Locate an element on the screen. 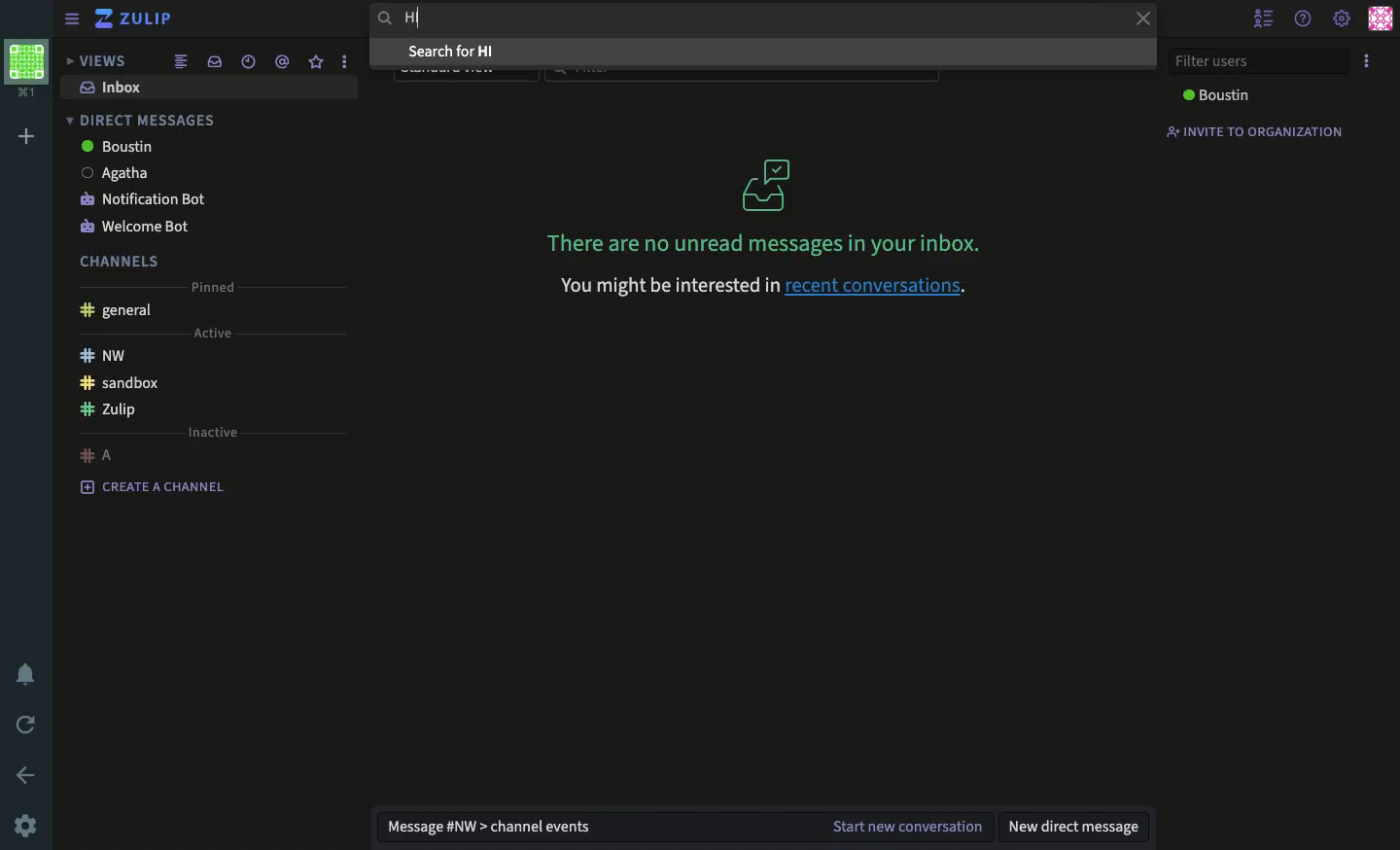 This screenshot has height=850, width=1400. close is located at coordinates (1142, 19).